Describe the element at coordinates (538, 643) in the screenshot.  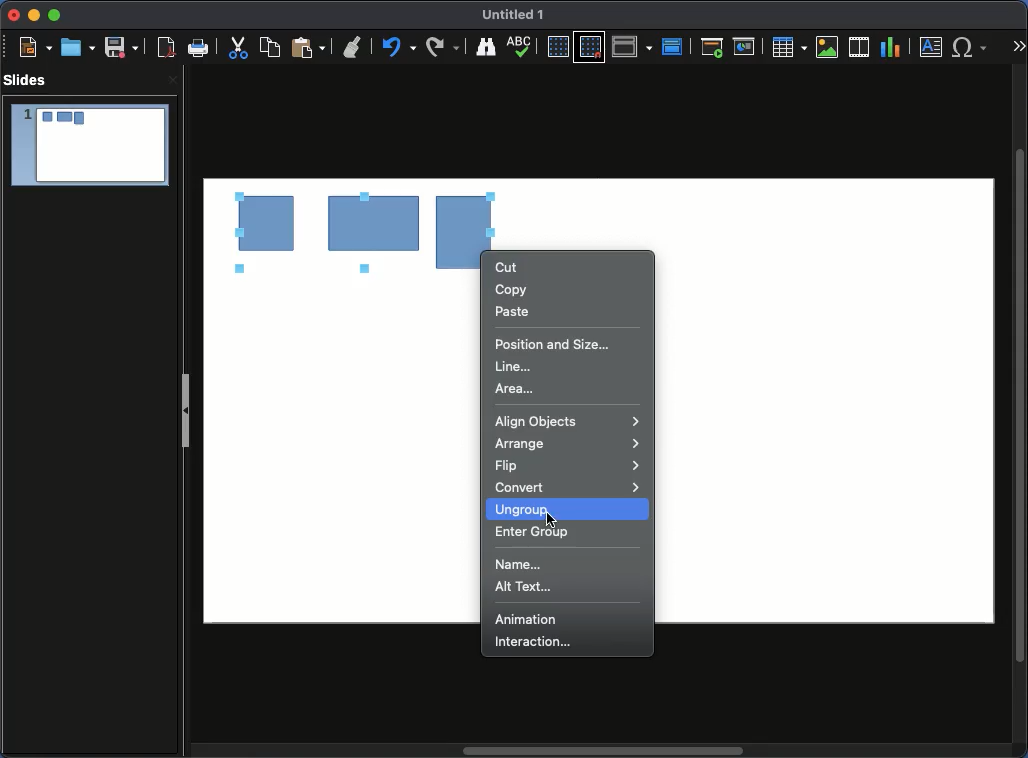
I see `Interaction` at that location.